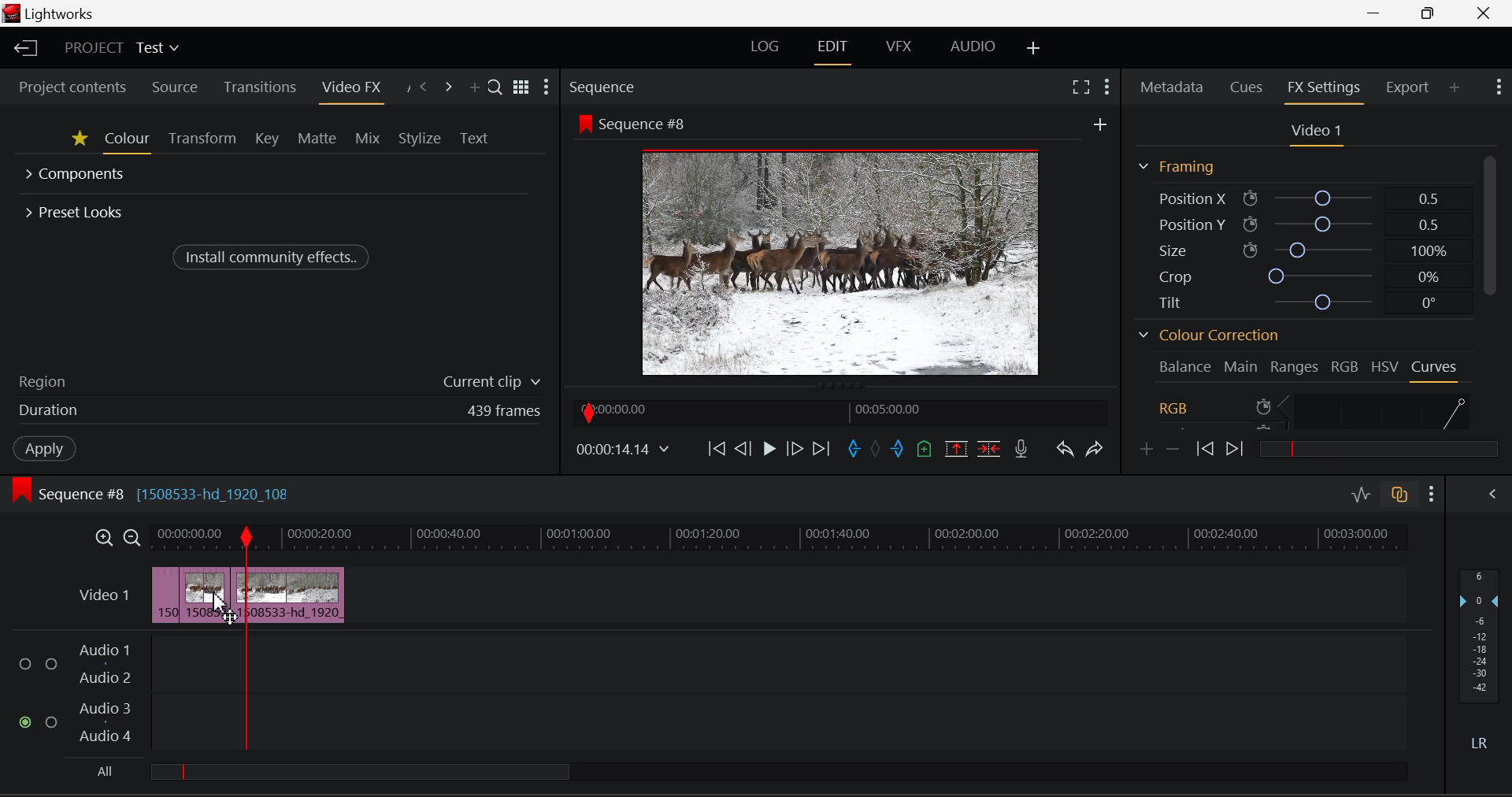 This screenshot has height=797, width=1512. Describe the element at coordinates (1314, 410) in the screenshot. I see `RGB Curve` at that location.